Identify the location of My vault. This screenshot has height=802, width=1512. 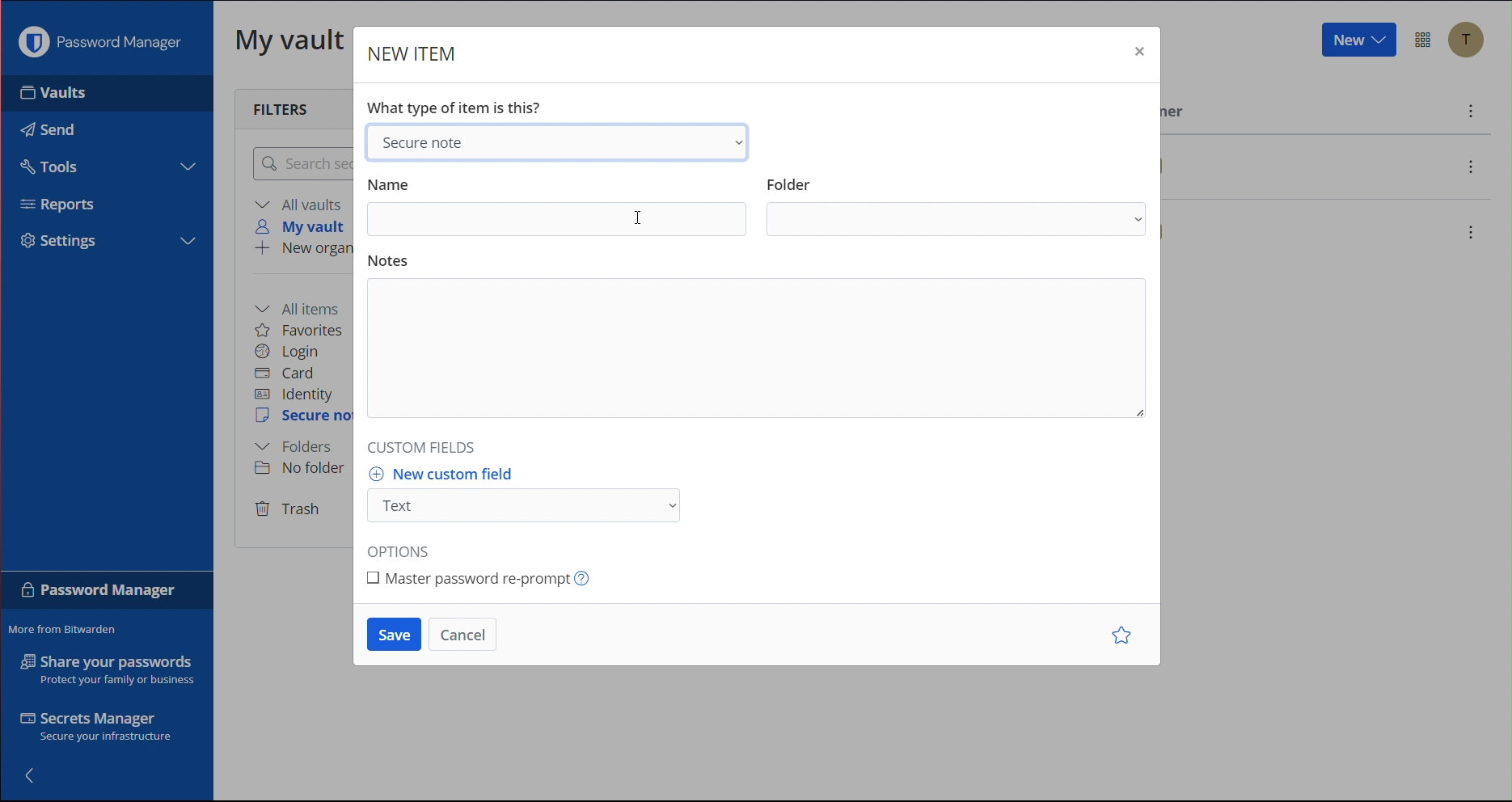
(291, 44).